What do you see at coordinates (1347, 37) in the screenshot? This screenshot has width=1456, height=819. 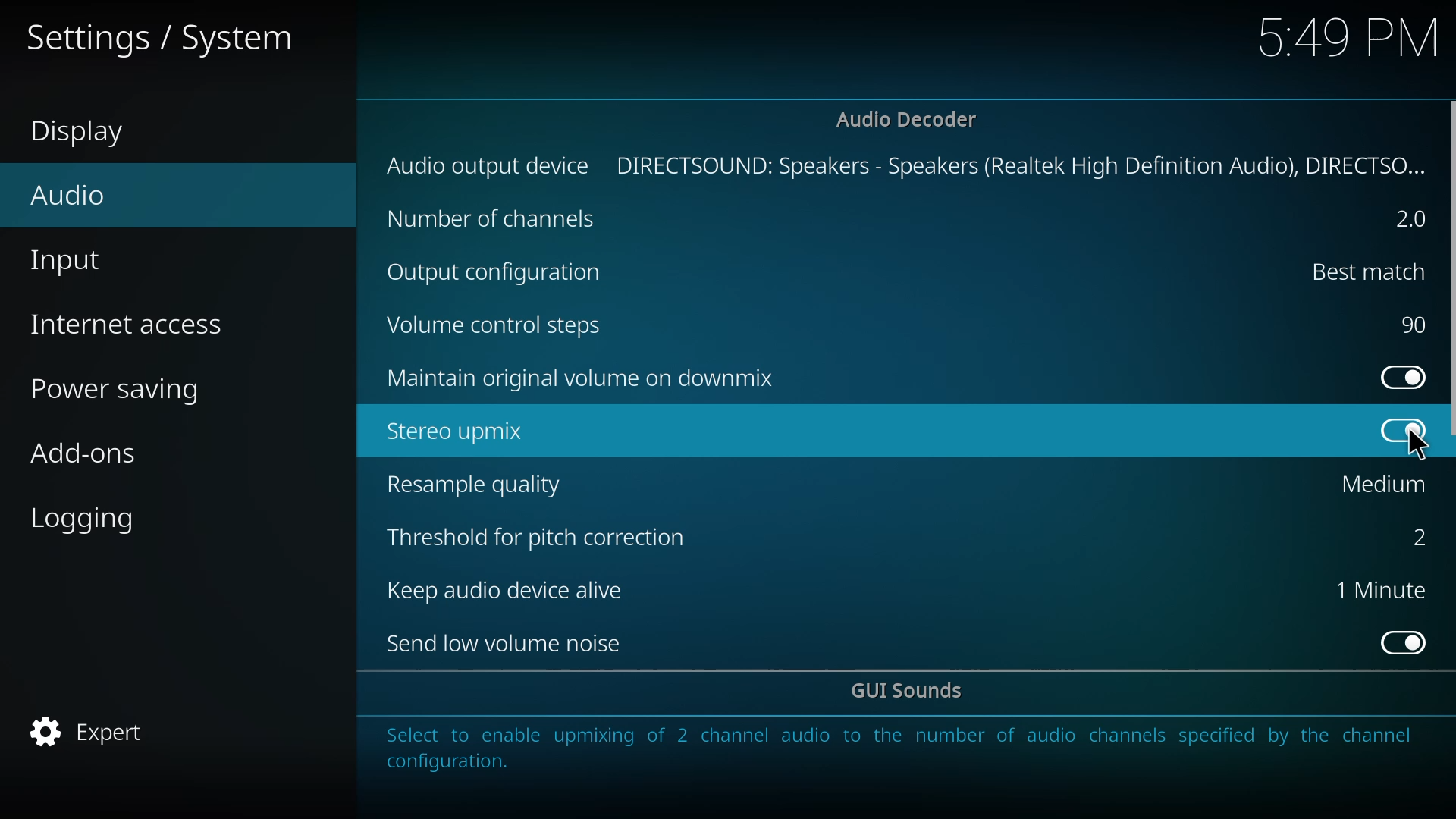 I see `time` at bounding box center [1347, 37].